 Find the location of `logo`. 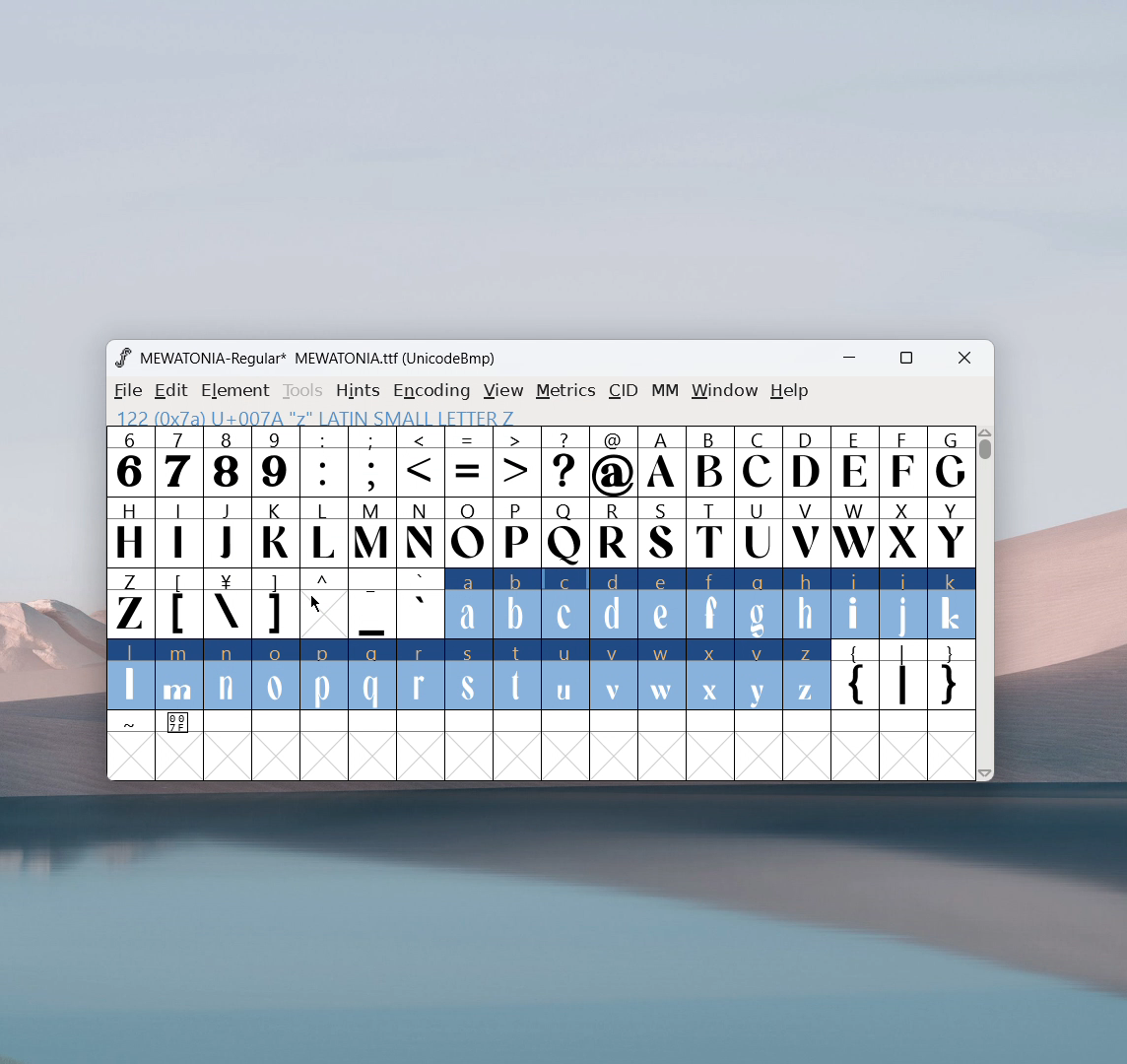

logo is located at coordinates (122, 358).